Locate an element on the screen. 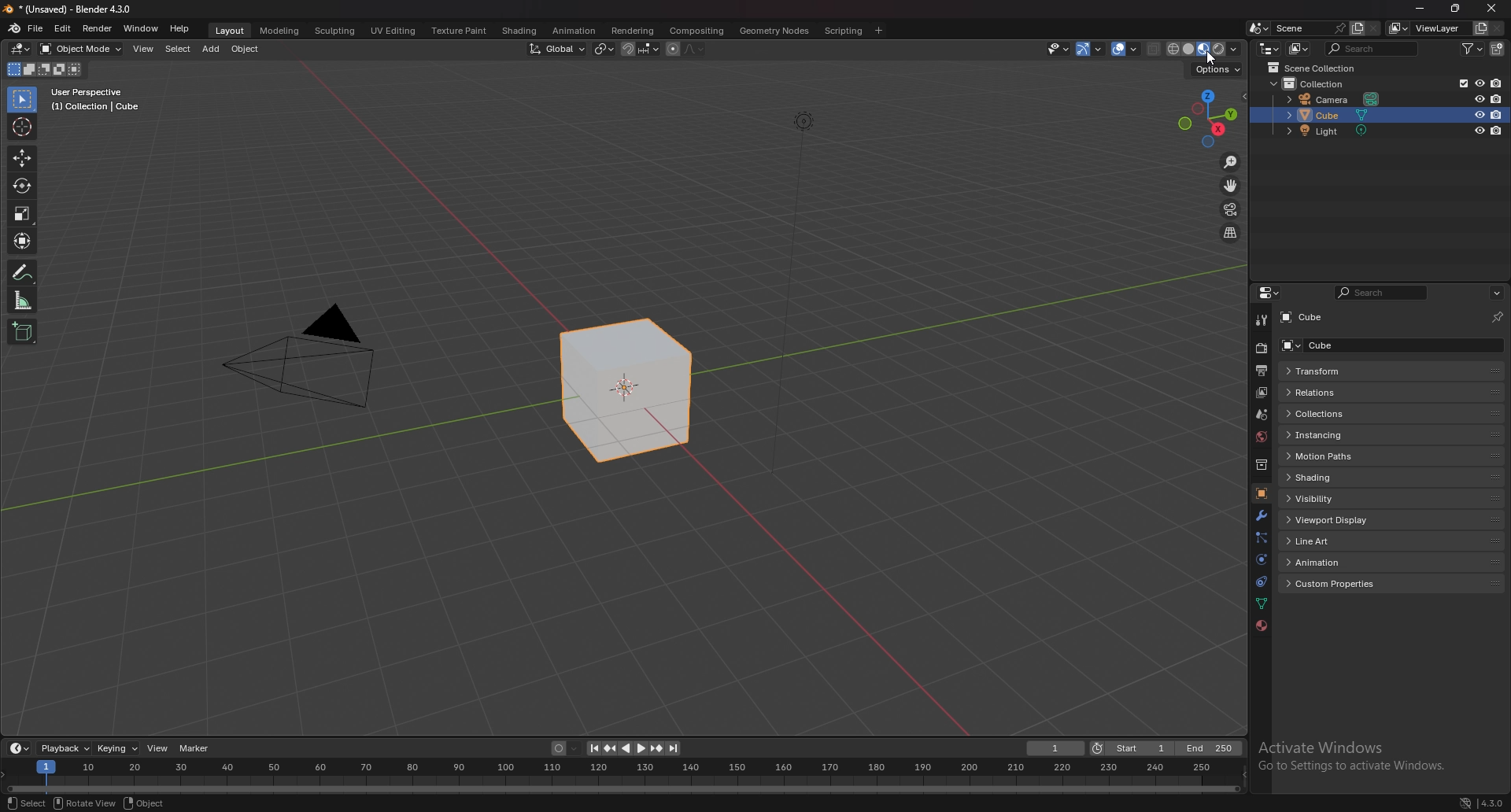 This screenshot has width=1511, height=812. move is located at coordinates (1231, 186).